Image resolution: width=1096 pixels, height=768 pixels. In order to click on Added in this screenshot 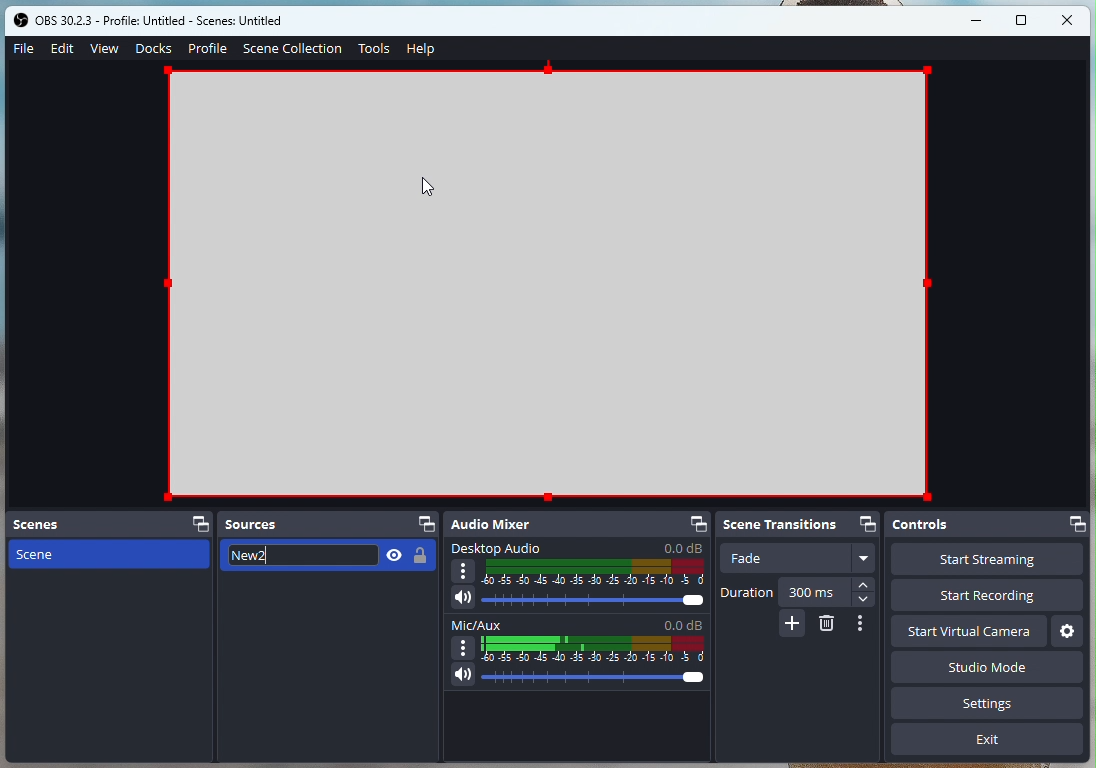, I will do `click(792, 625)`.